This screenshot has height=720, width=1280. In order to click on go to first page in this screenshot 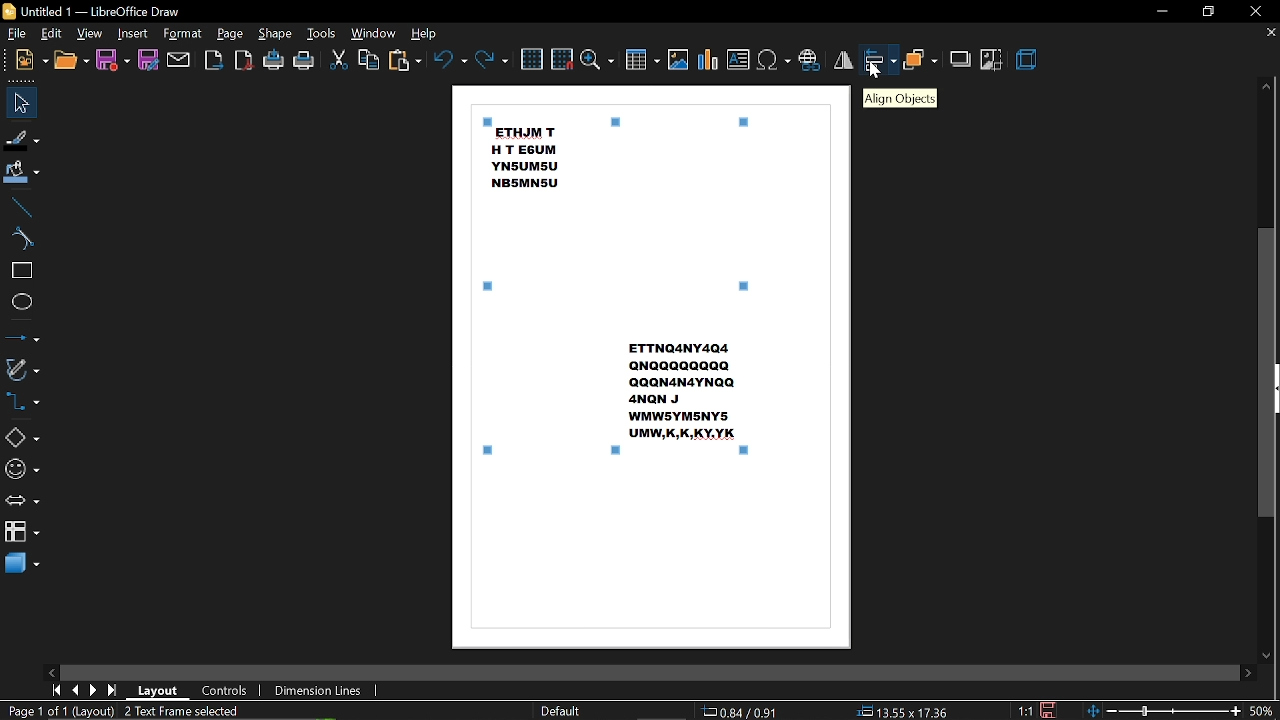, I will do `click(56, 691)`.